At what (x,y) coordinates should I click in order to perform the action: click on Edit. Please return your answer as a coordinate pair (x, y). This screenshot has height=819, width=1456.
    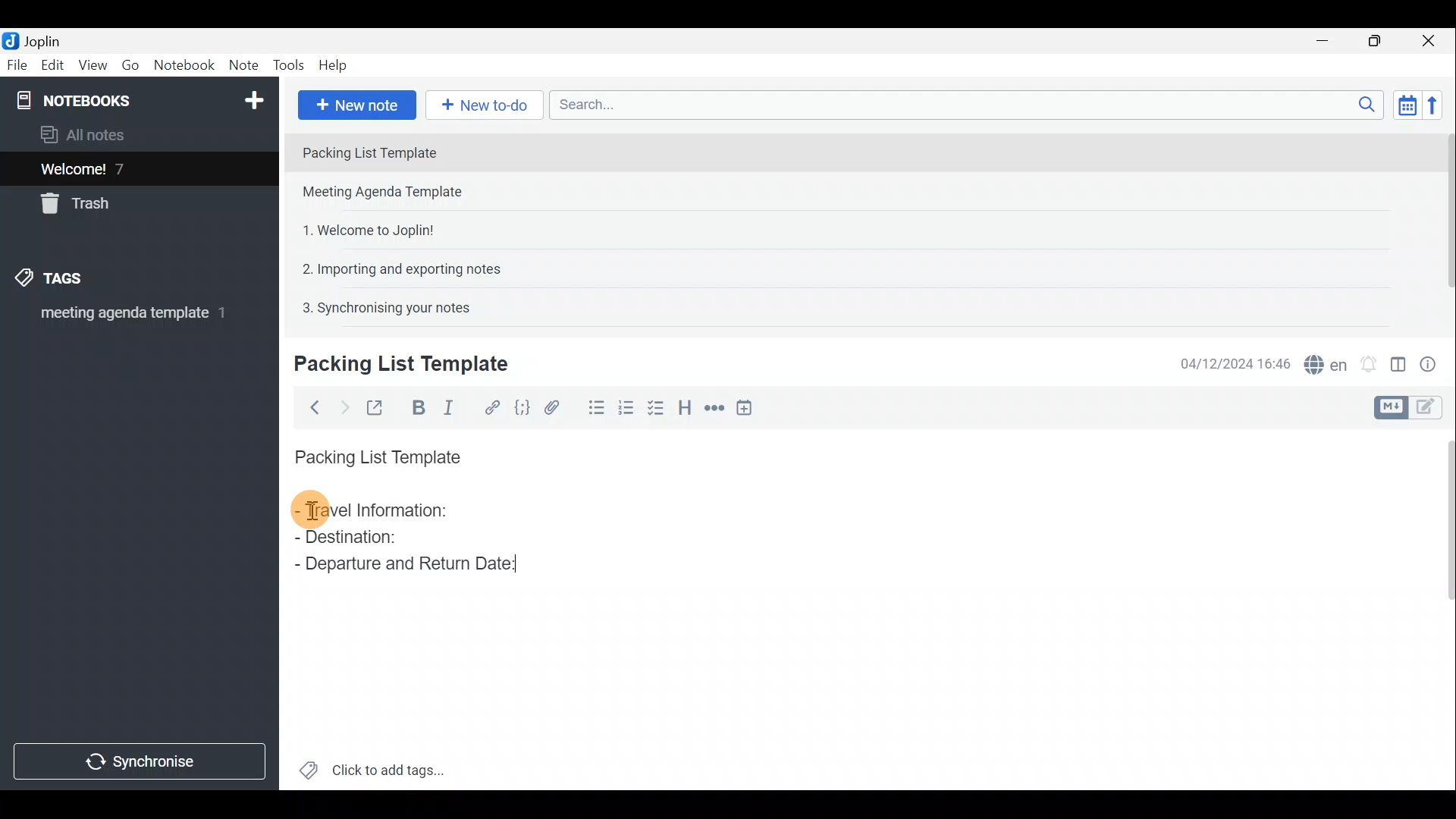
    Looking at the image, I should click on (49, 66).